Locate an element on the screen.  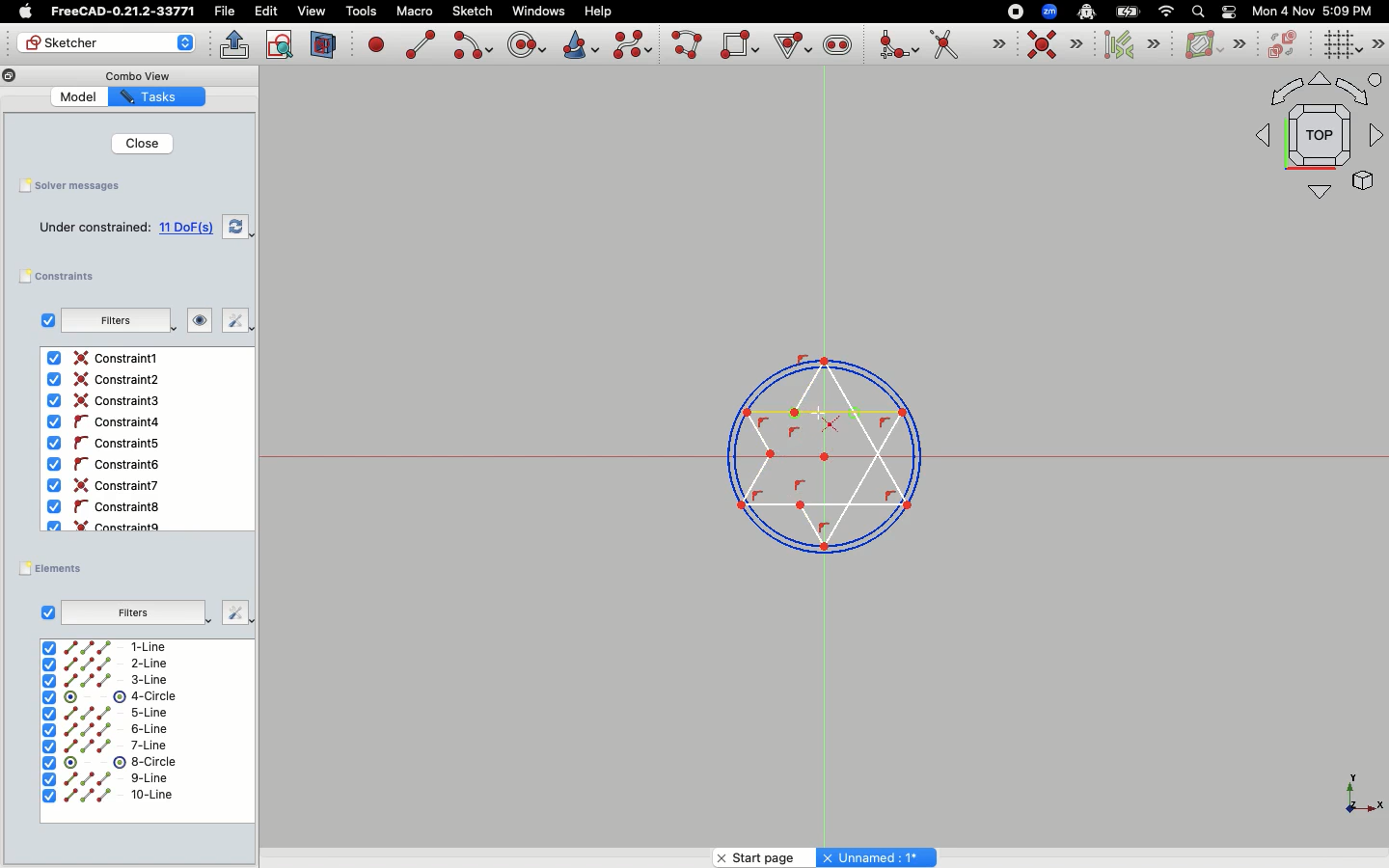
Filters is located at coordinates (133, 610).